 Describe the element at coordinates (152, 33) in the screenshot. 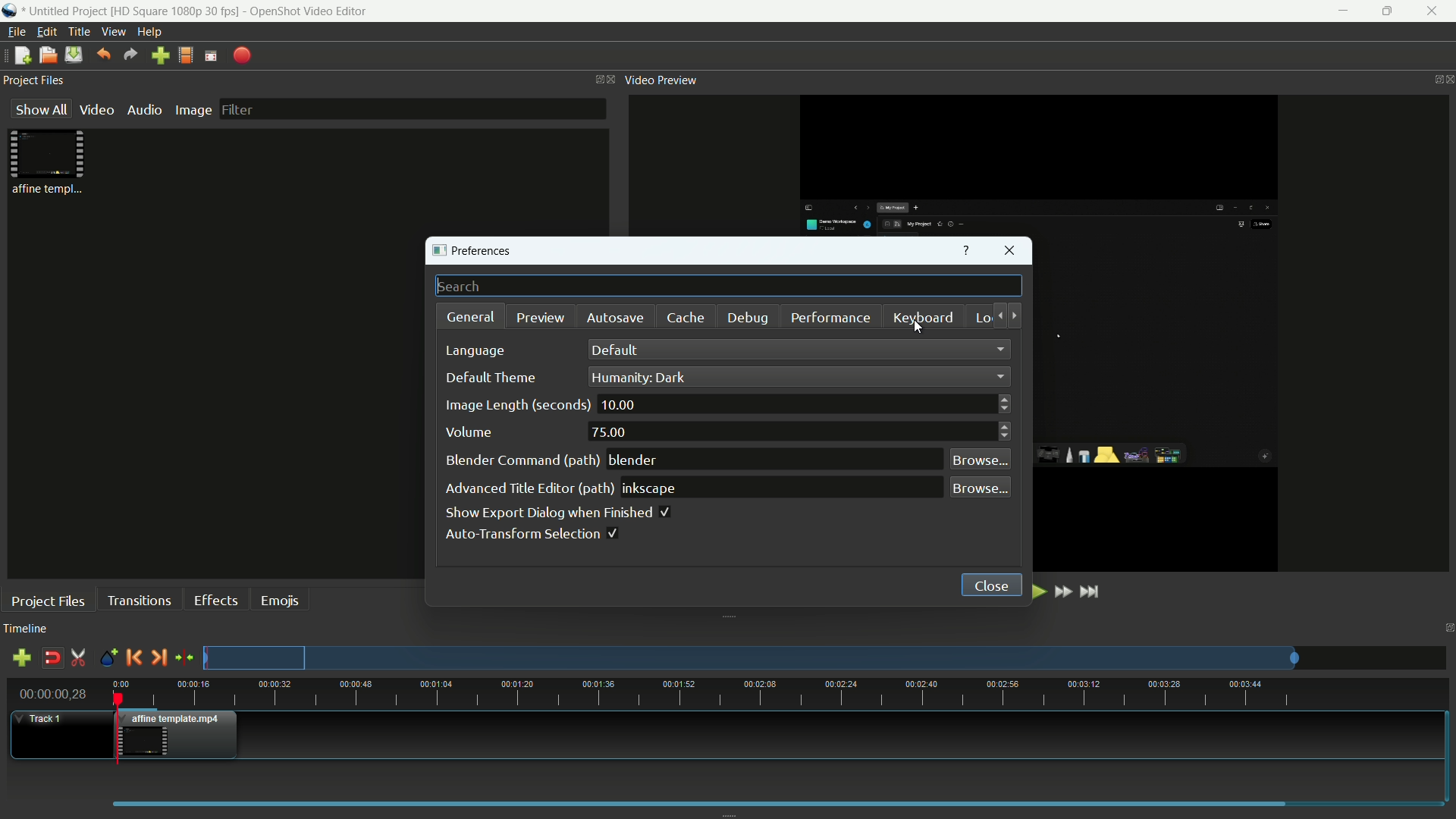

I see `help menu` at that location.